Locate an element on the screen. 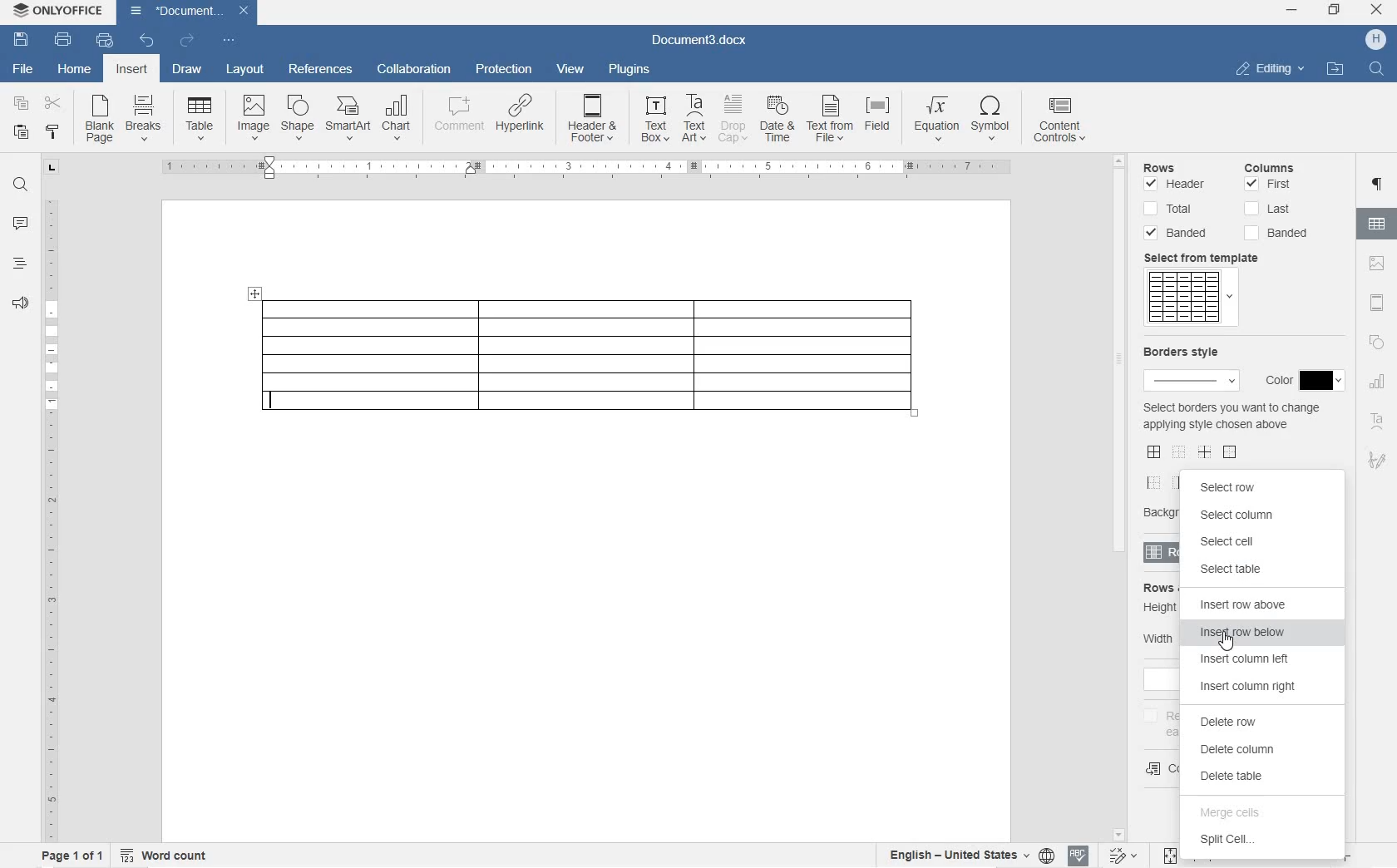 The image size is (1397, 868). Header is located at coordinates (1176, 186).